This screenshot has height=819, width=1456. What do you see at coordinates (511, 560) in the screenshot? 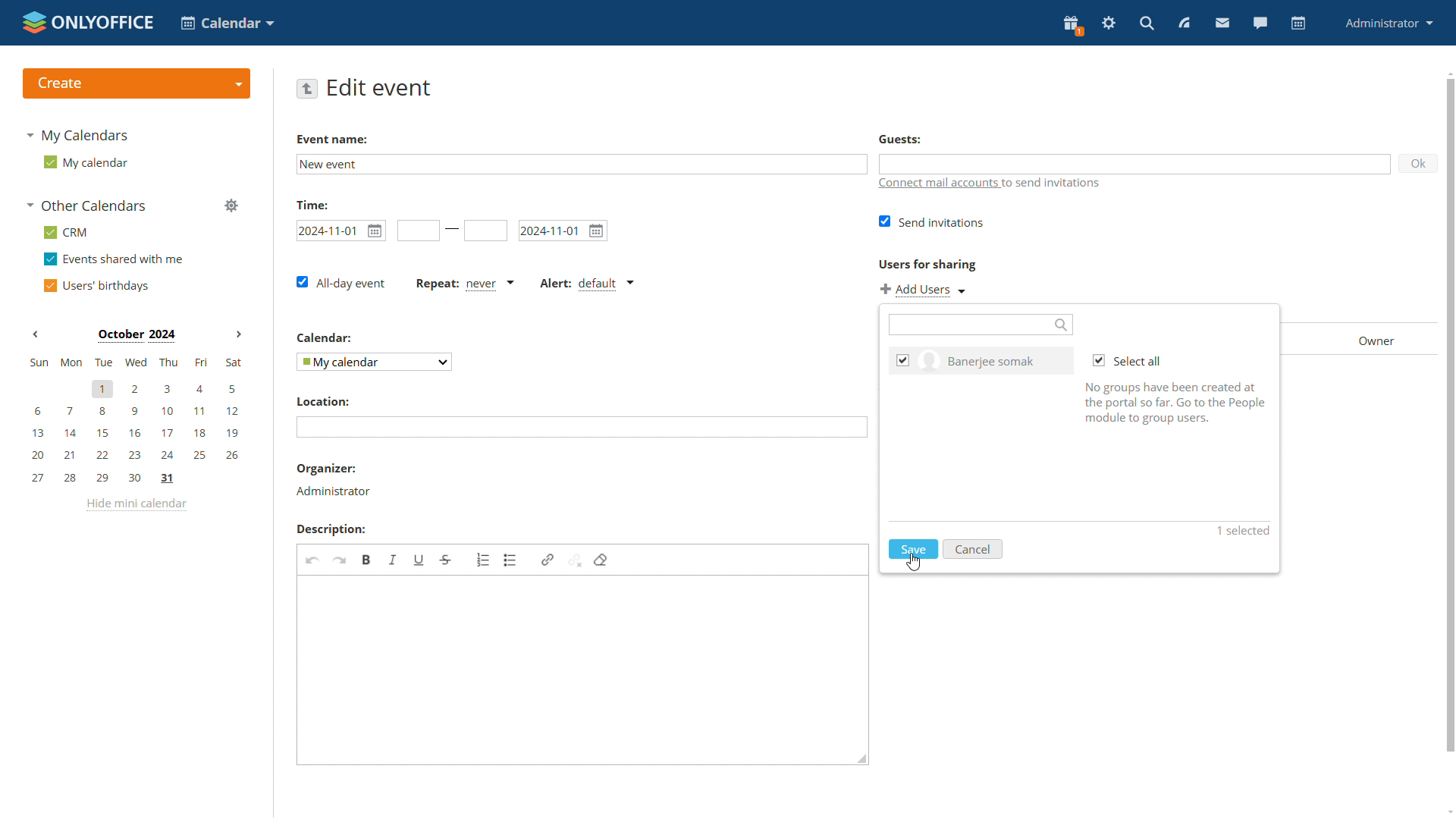
I see `insert/remove bulletted list` at bounding box center [511, 560].